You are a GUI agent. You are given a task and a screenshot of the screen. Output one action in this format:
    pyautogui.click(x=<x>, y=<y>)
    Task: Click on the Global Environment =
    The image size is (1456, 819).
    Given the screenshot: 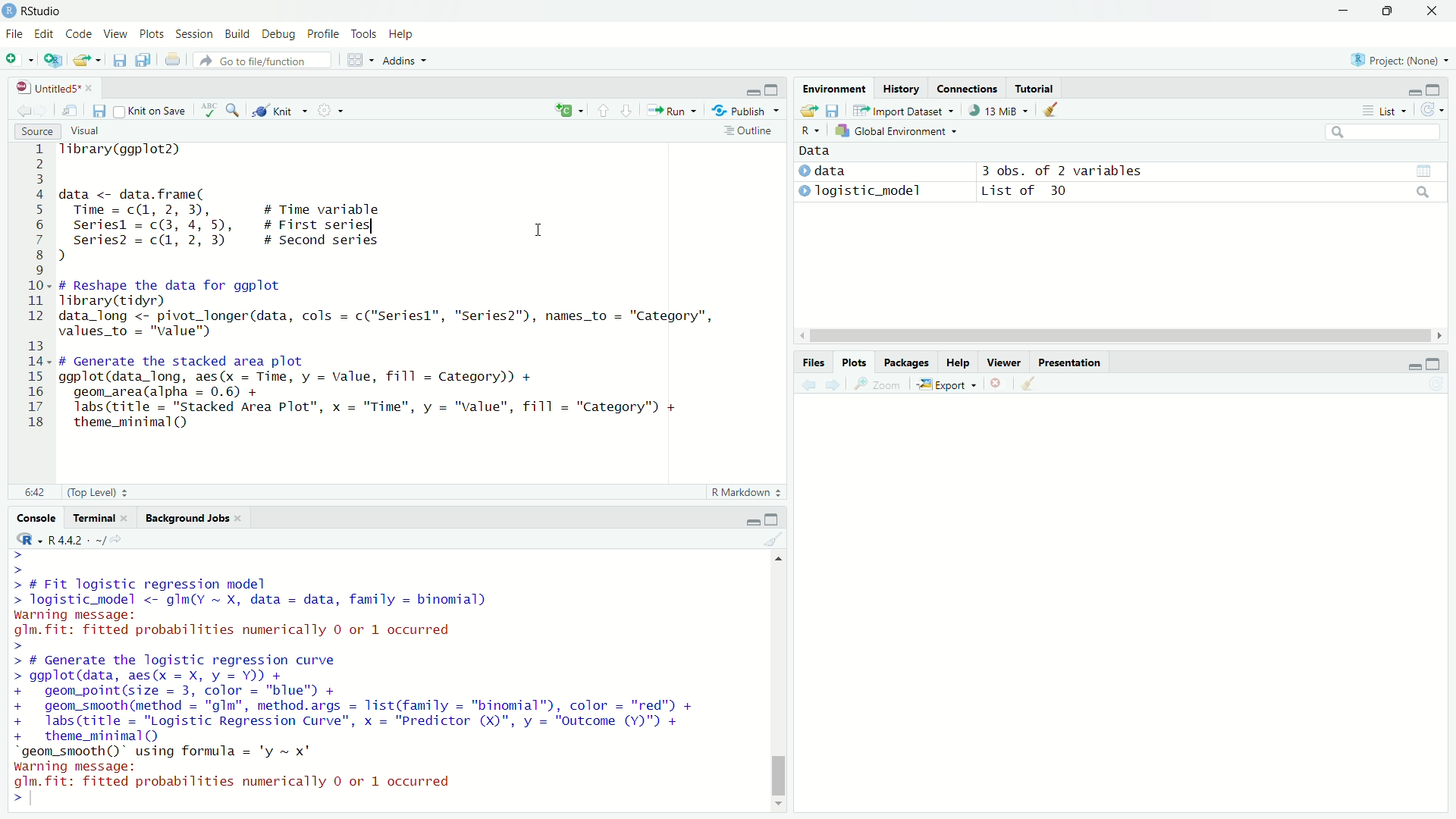 What is the action you would take?
    pyautogui.click(x=892, y=131)
    